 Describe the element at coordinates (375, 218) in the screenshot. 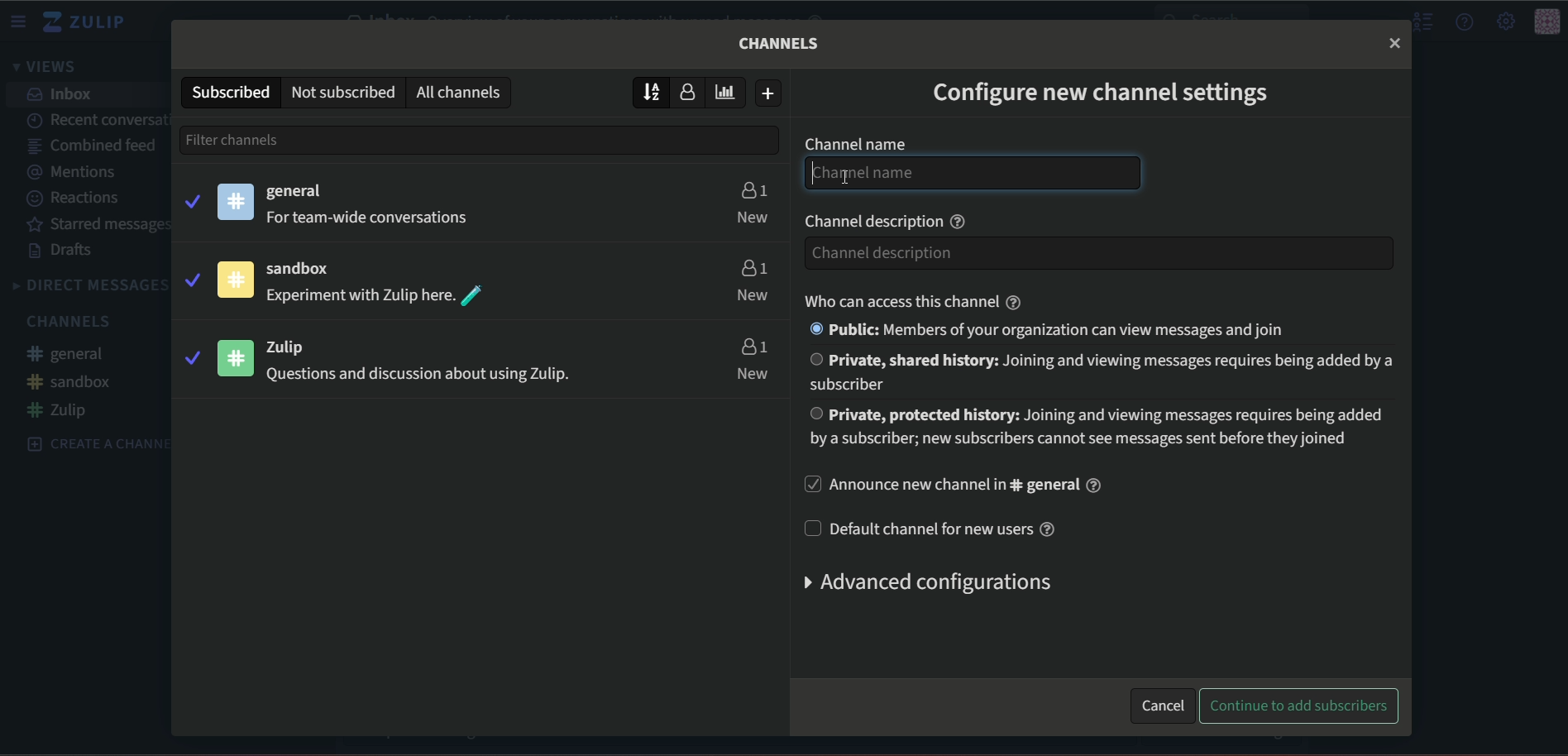

I see `For team-wide conversations` at that location.